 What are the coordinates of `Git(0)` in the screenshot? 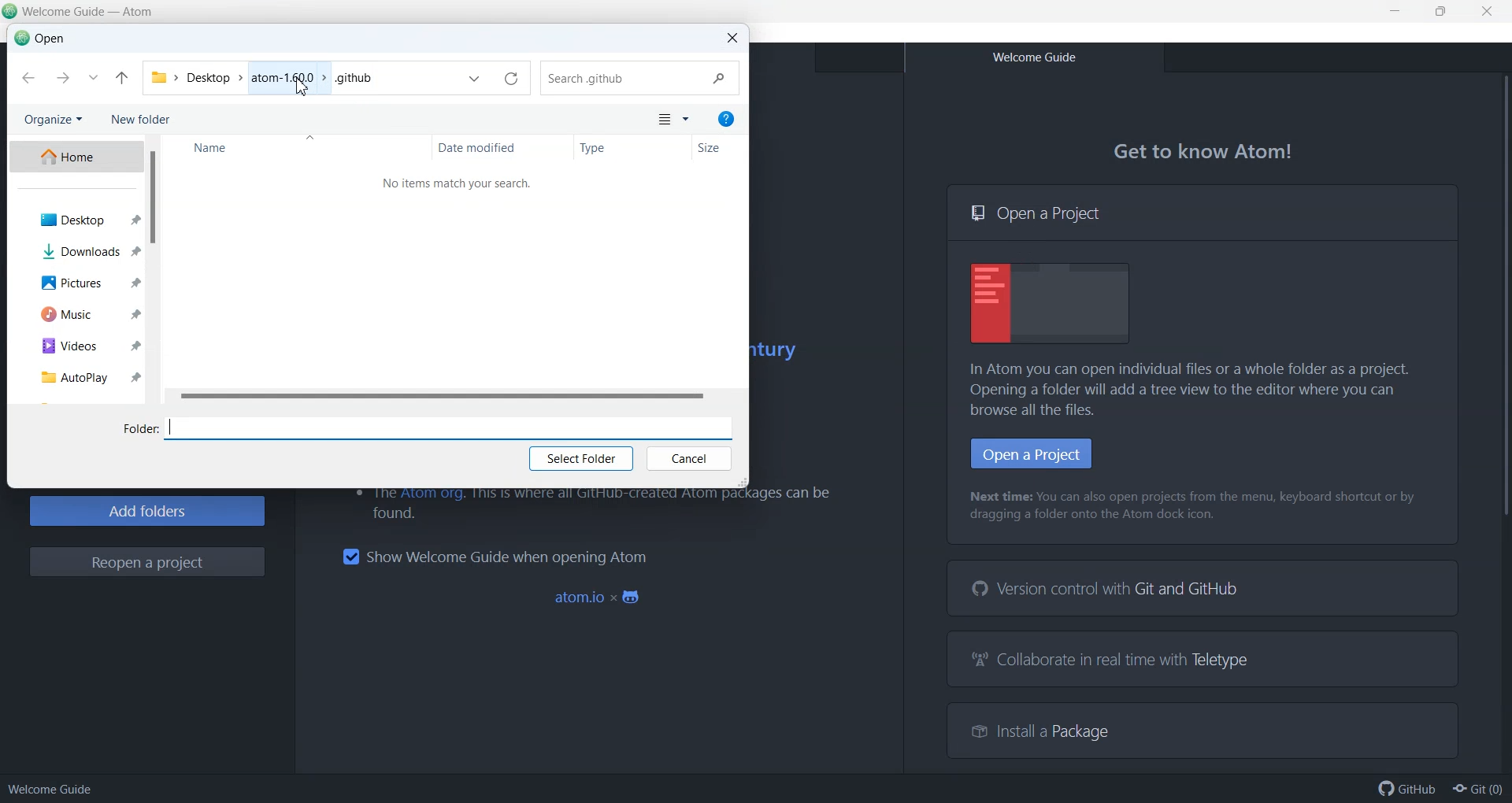 It's located at (1477, 789).